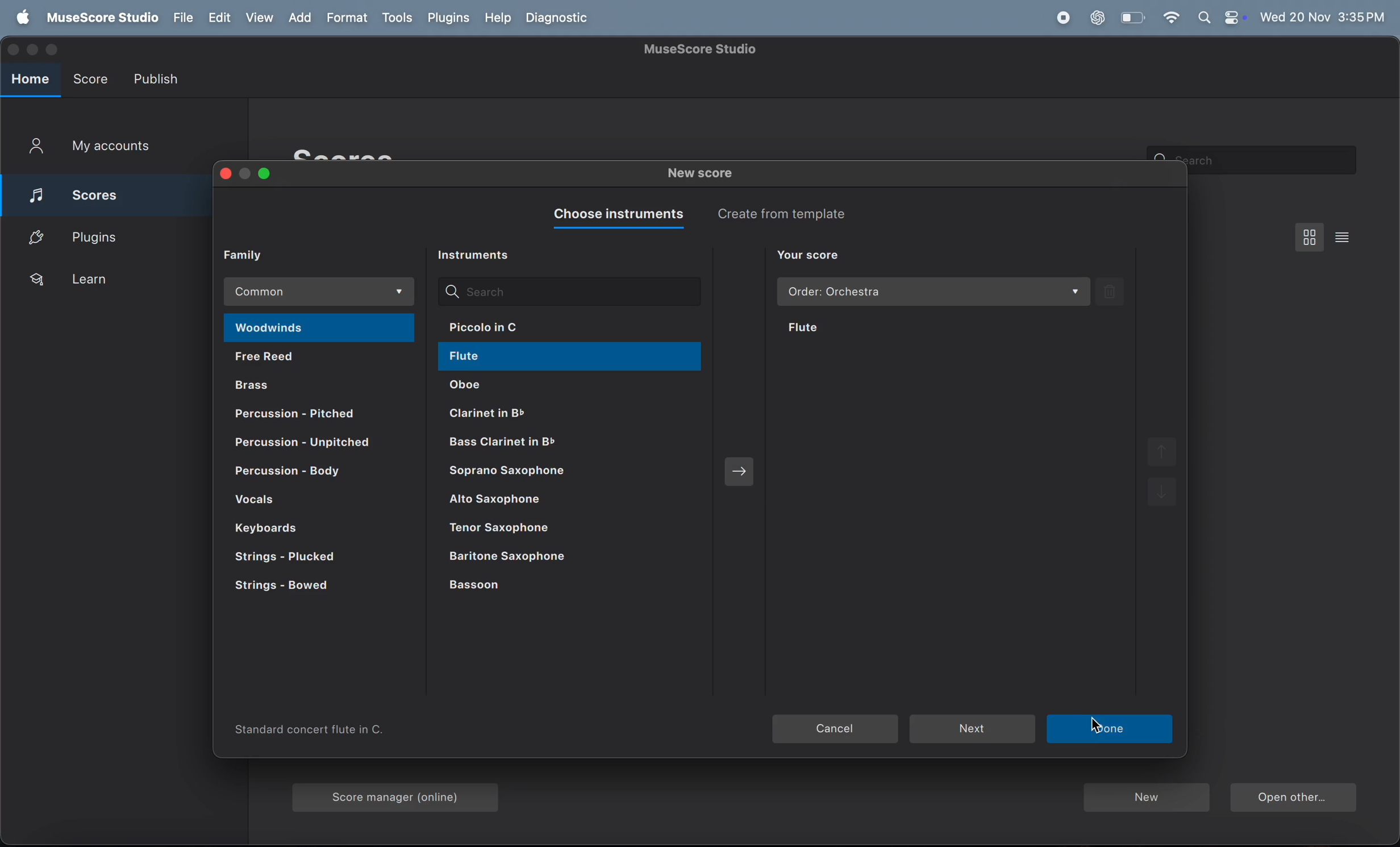  Describe the element at coordinates (479, 256) in the screenshot. I see `instrument` at that location.